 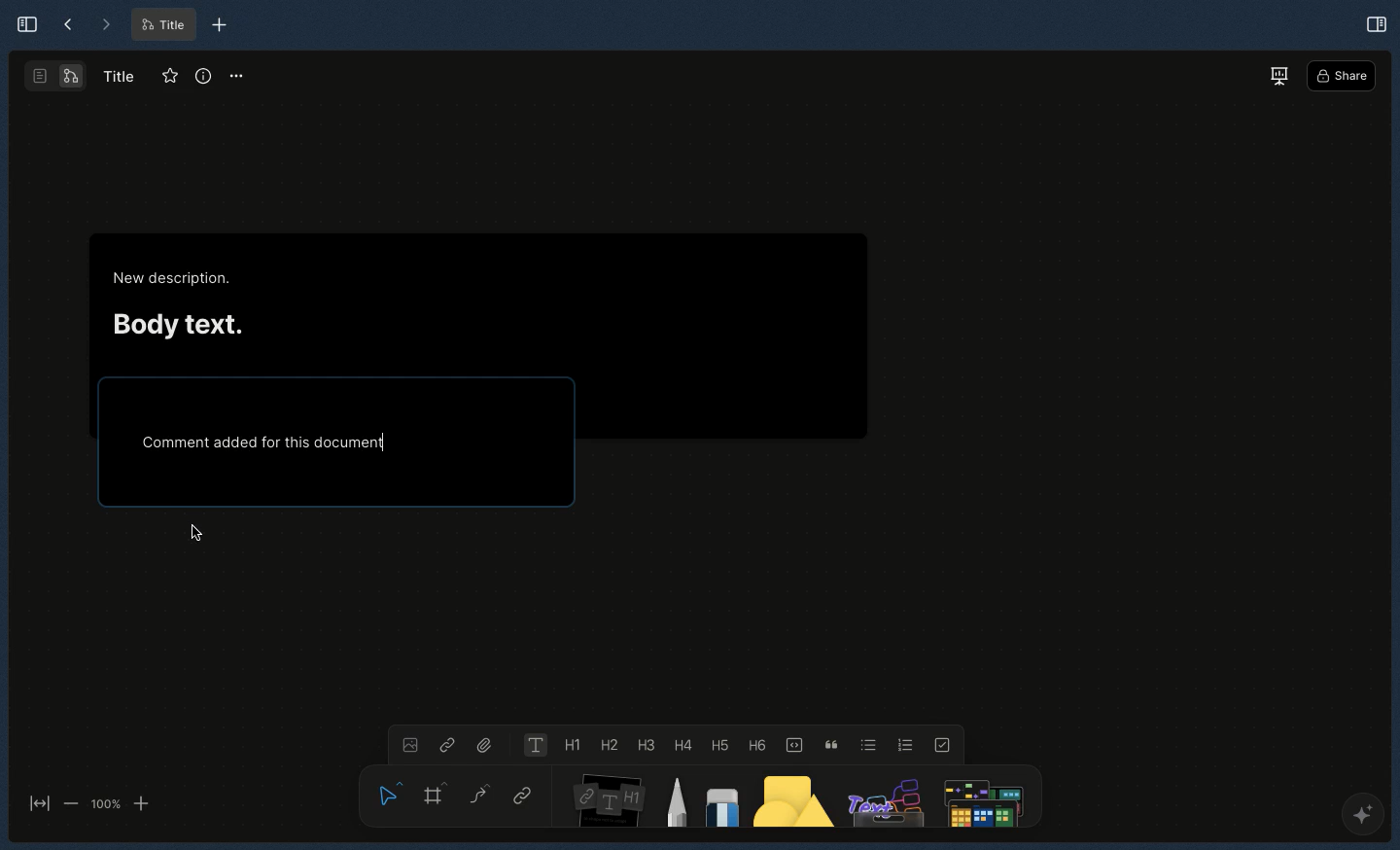 What do you see at coordinates (166, 77) in the screenshot?
I see `Favorite` at bounding box center [166, 77].